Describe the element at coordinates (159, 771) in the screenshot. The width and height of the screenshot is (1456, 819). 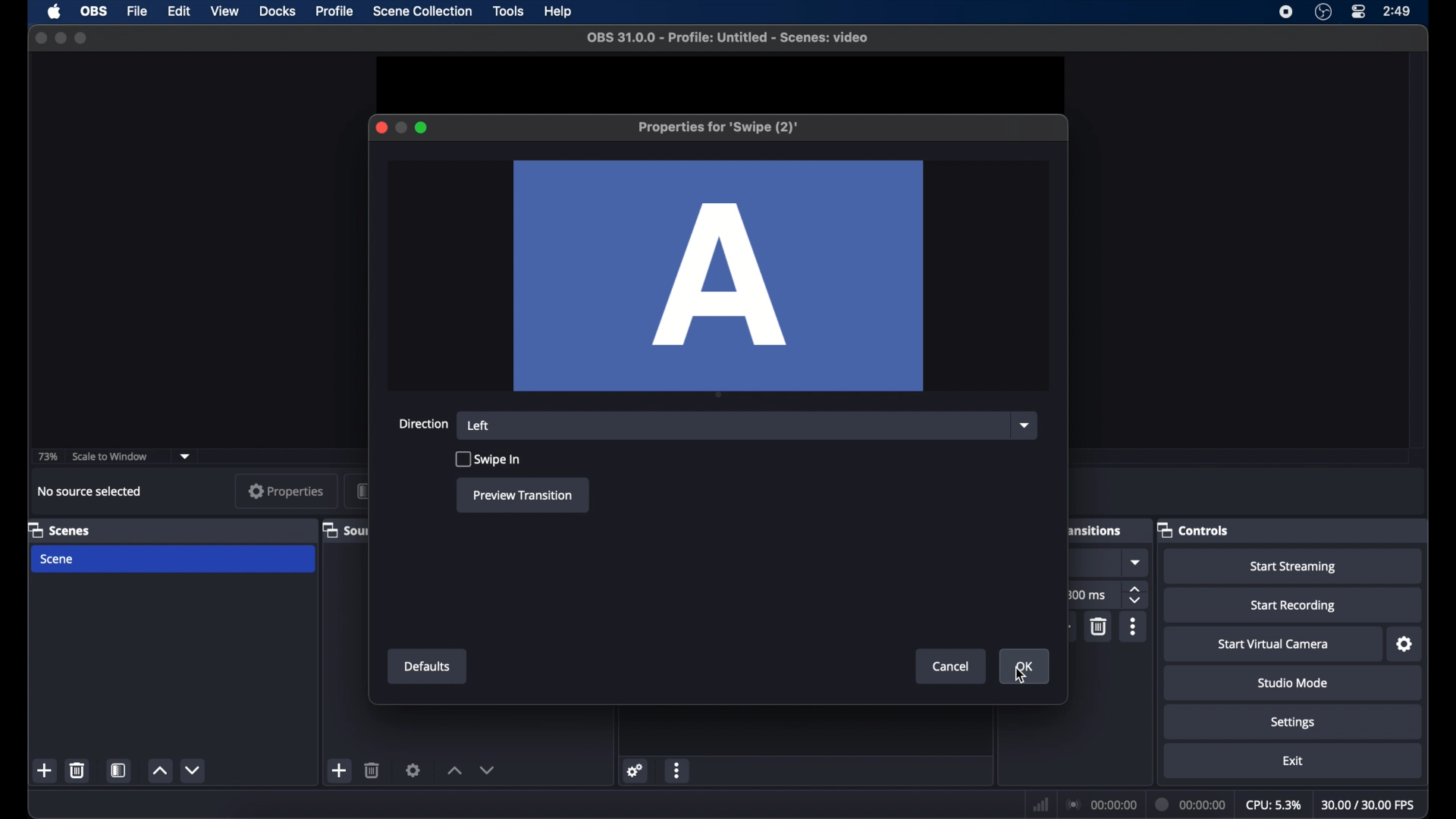
I see `increment` at that location.